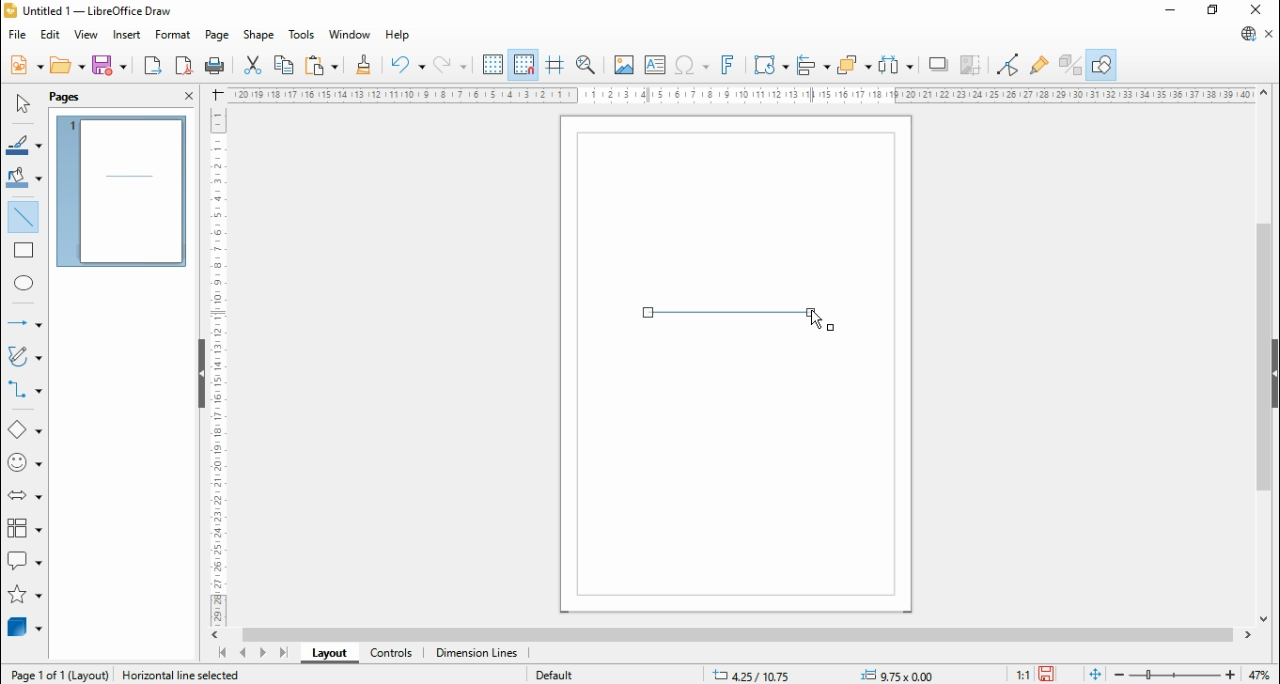 The image size is (1280, 684). I want to click on tools, so click(303, 35).